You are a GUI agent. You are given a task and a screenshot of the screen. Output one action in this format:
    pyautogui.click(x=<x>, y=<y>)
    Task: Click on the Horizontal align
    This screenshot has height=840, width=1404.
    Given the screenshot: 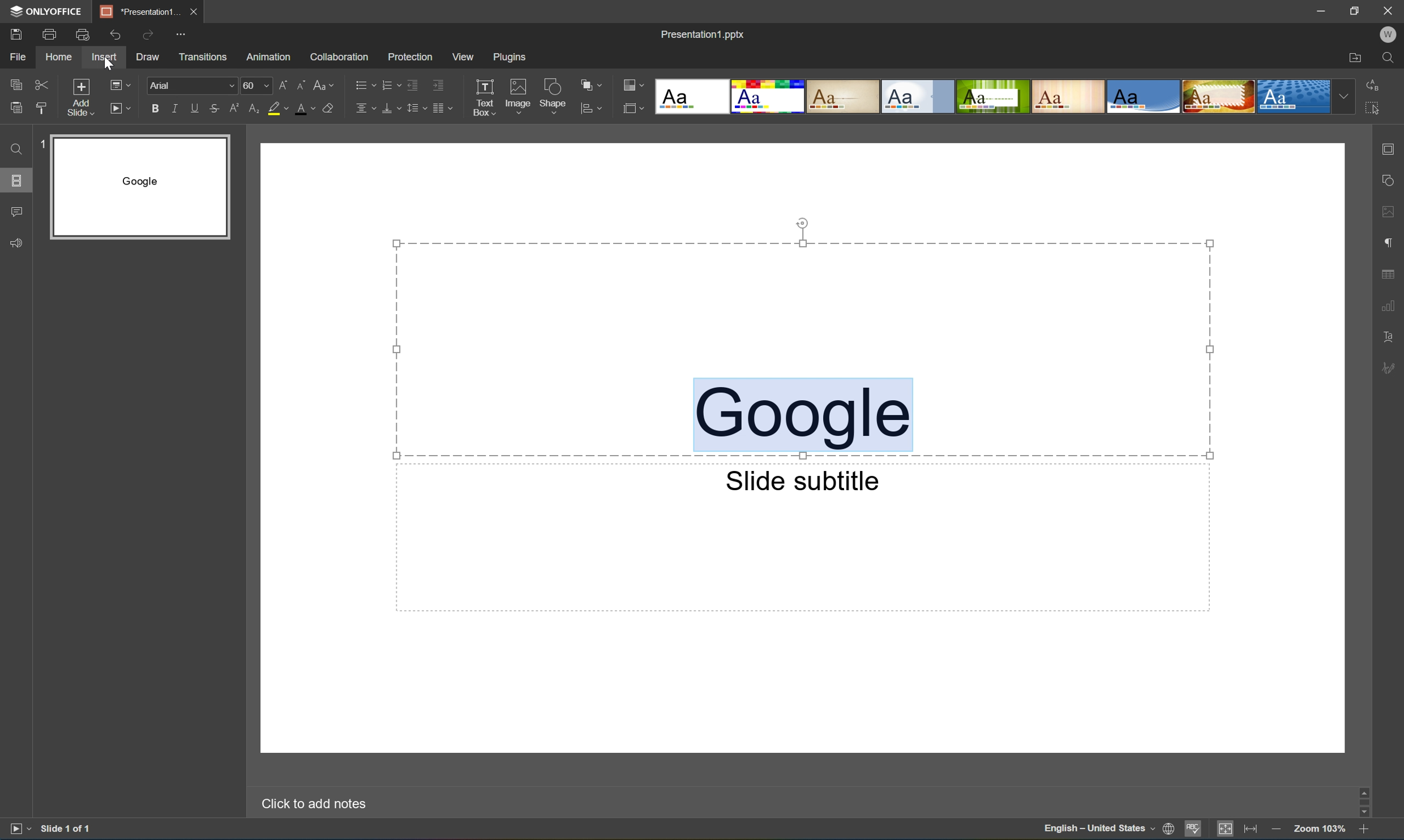 What is the action you would take?
    pyautogui.click(x=366, y=110)
    